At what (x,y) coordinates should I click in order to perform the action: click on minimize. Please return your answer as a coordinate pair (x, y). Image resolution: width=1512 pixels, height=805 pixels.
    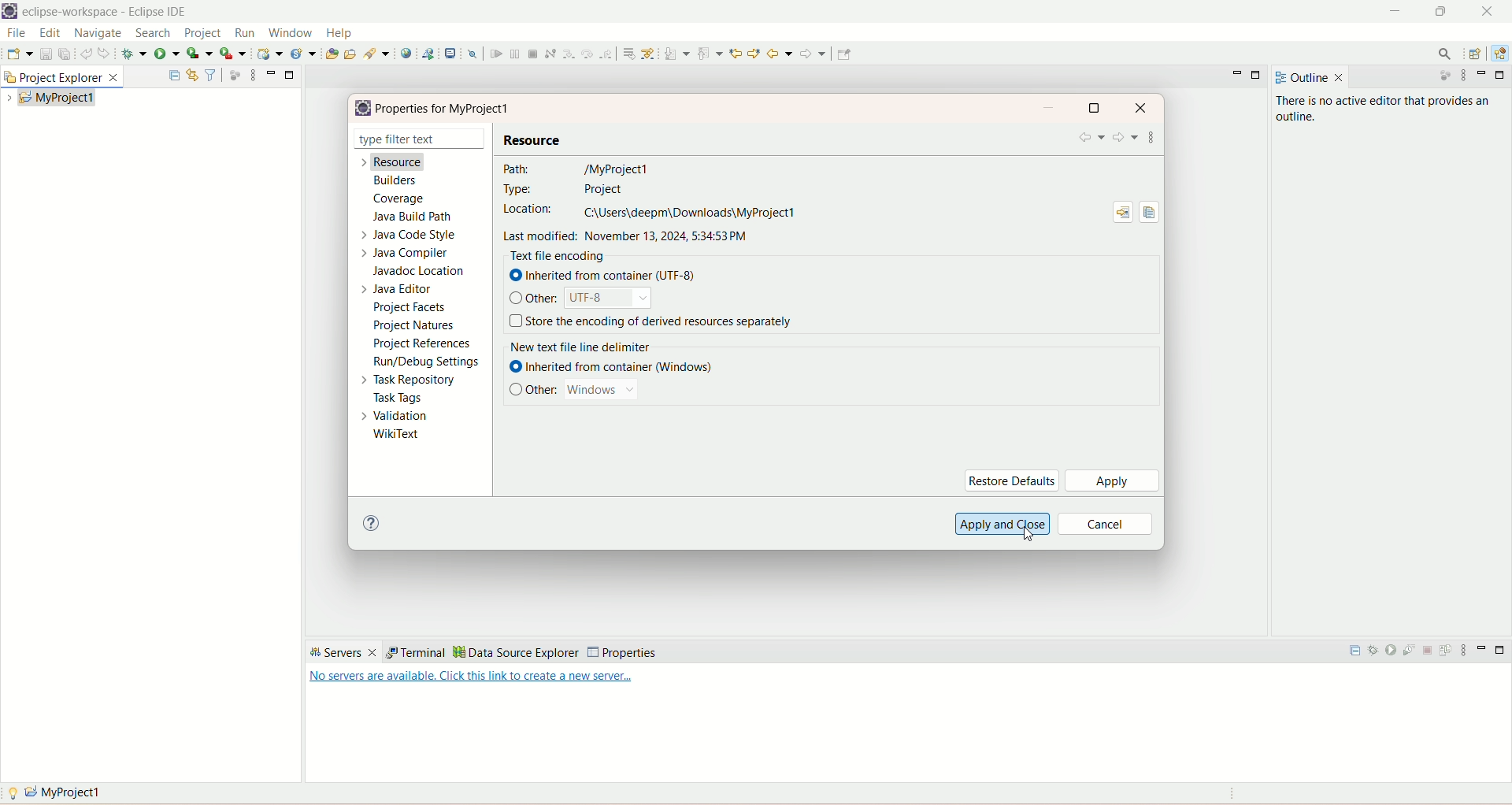
    Looking at the image, I should click on (291, 74).